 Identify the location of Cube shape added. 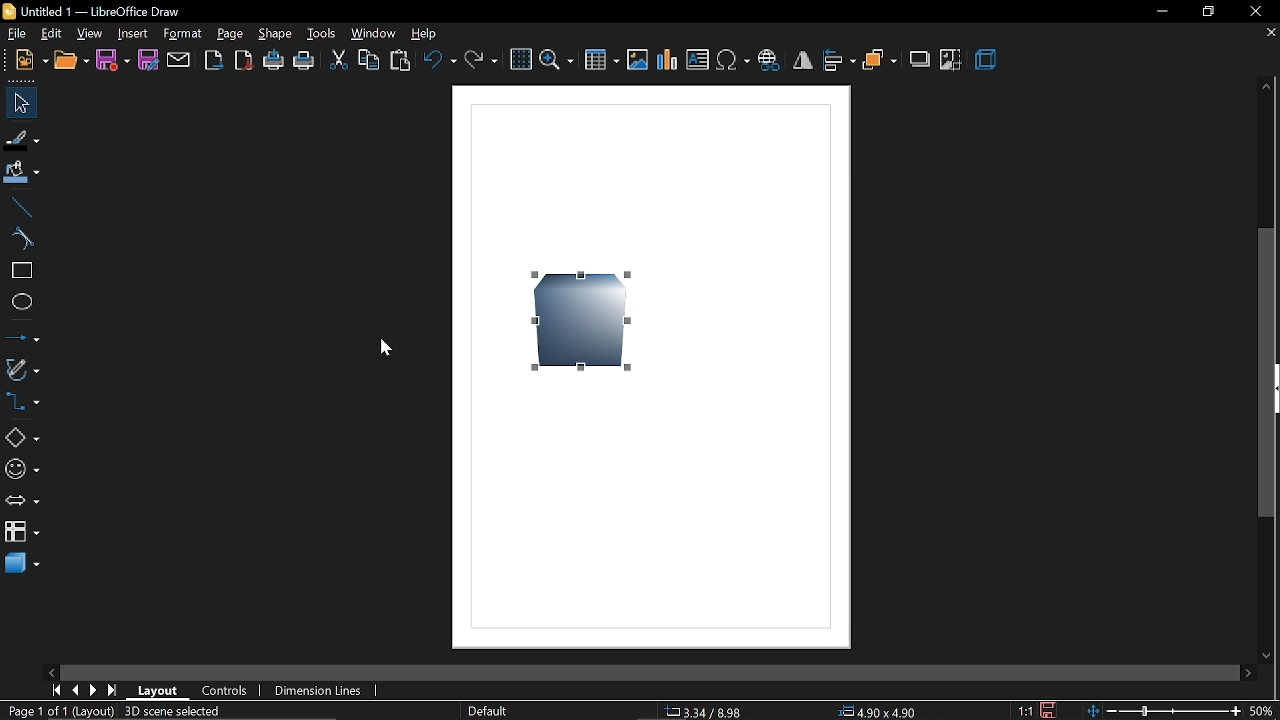
(583, 318).